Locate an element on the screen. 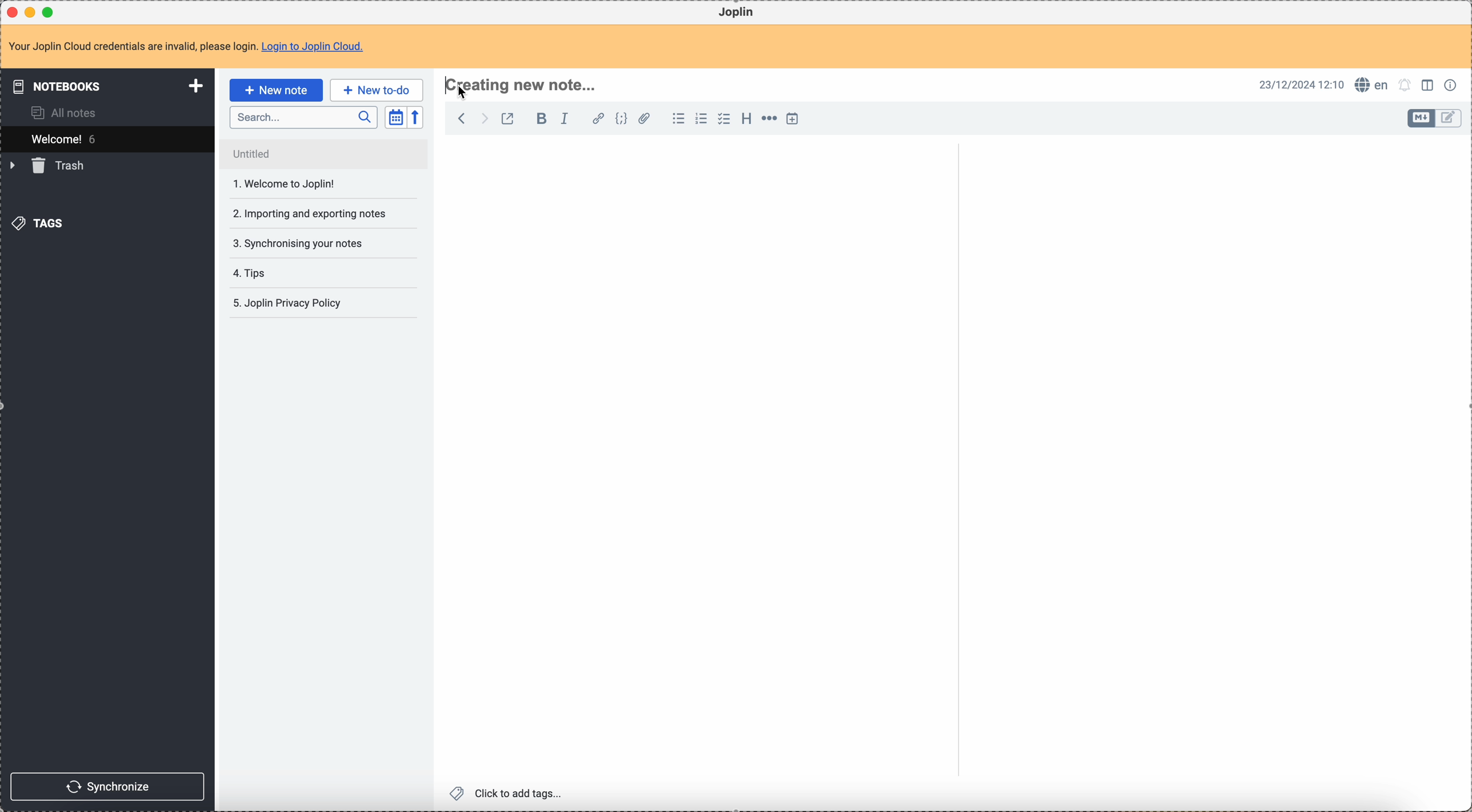  synchronize is located at coordinates (107, 785).